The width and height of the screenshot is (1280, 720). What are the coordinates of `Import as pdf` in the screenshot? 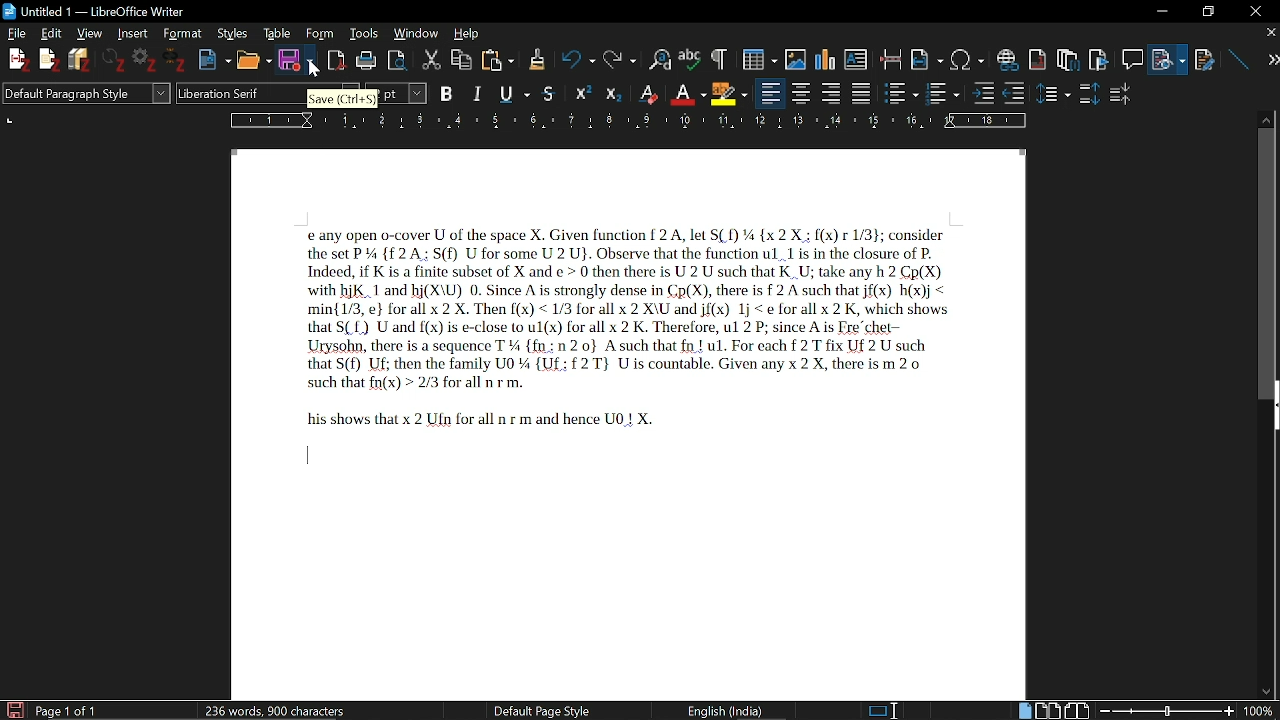 It's located at (337, 57).